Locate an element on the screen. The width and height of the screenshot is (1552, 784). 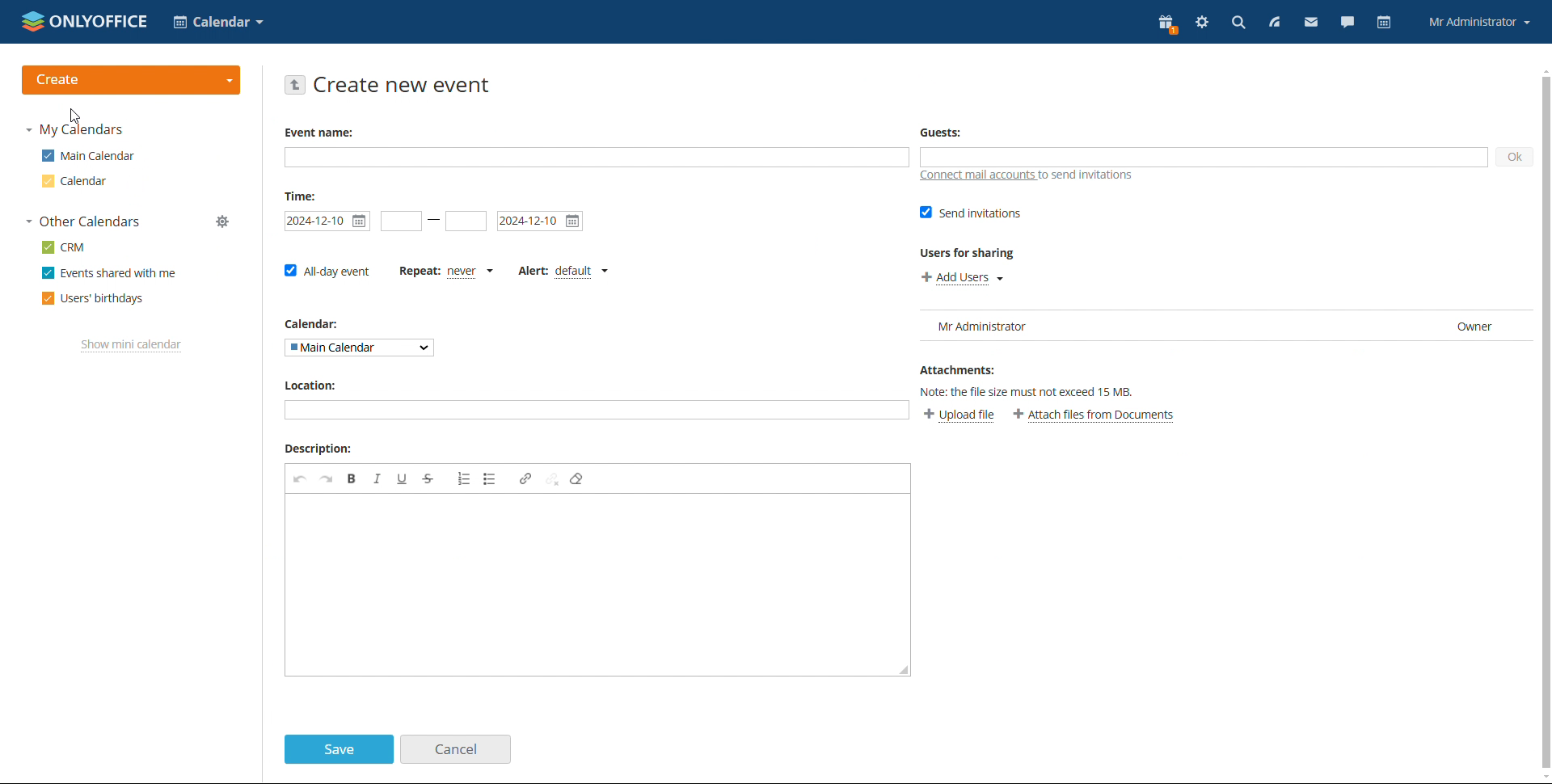
create is located at coordinates (135, 78).